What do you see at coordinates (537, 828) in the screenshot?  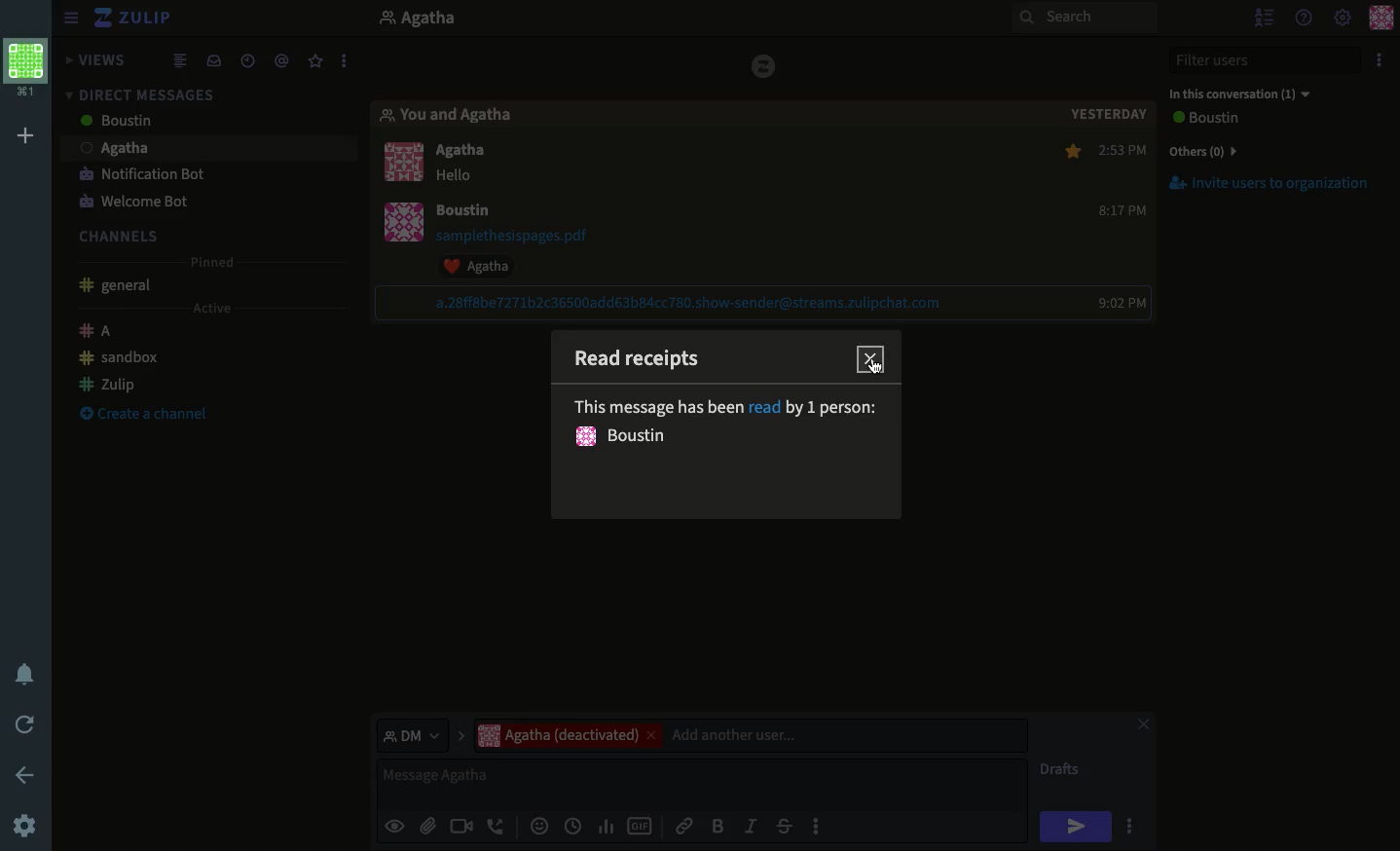 I see `Reaction` at bounding box center [537, 828].